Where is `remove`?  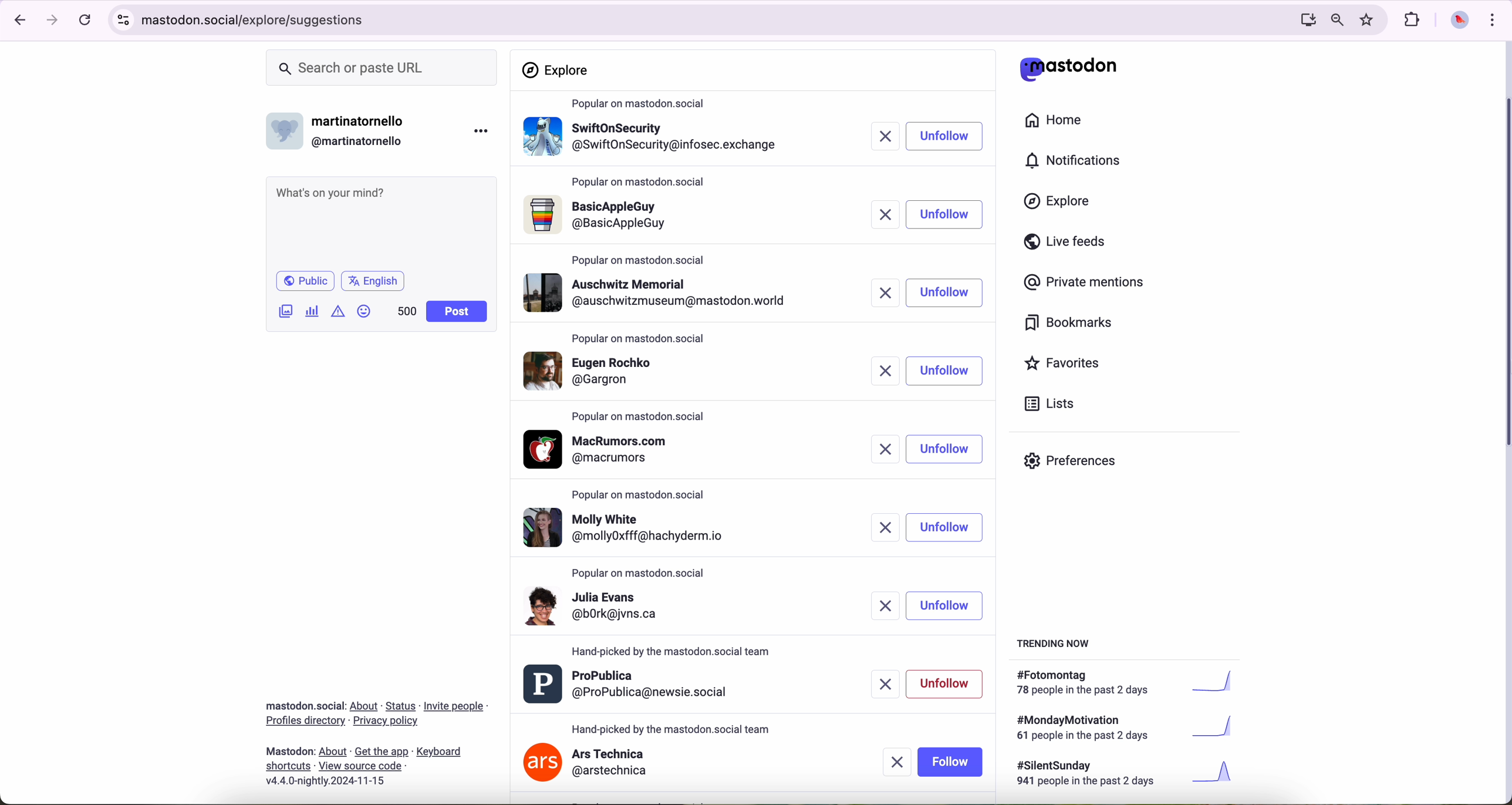 remove is located at coordinates (880, 527).